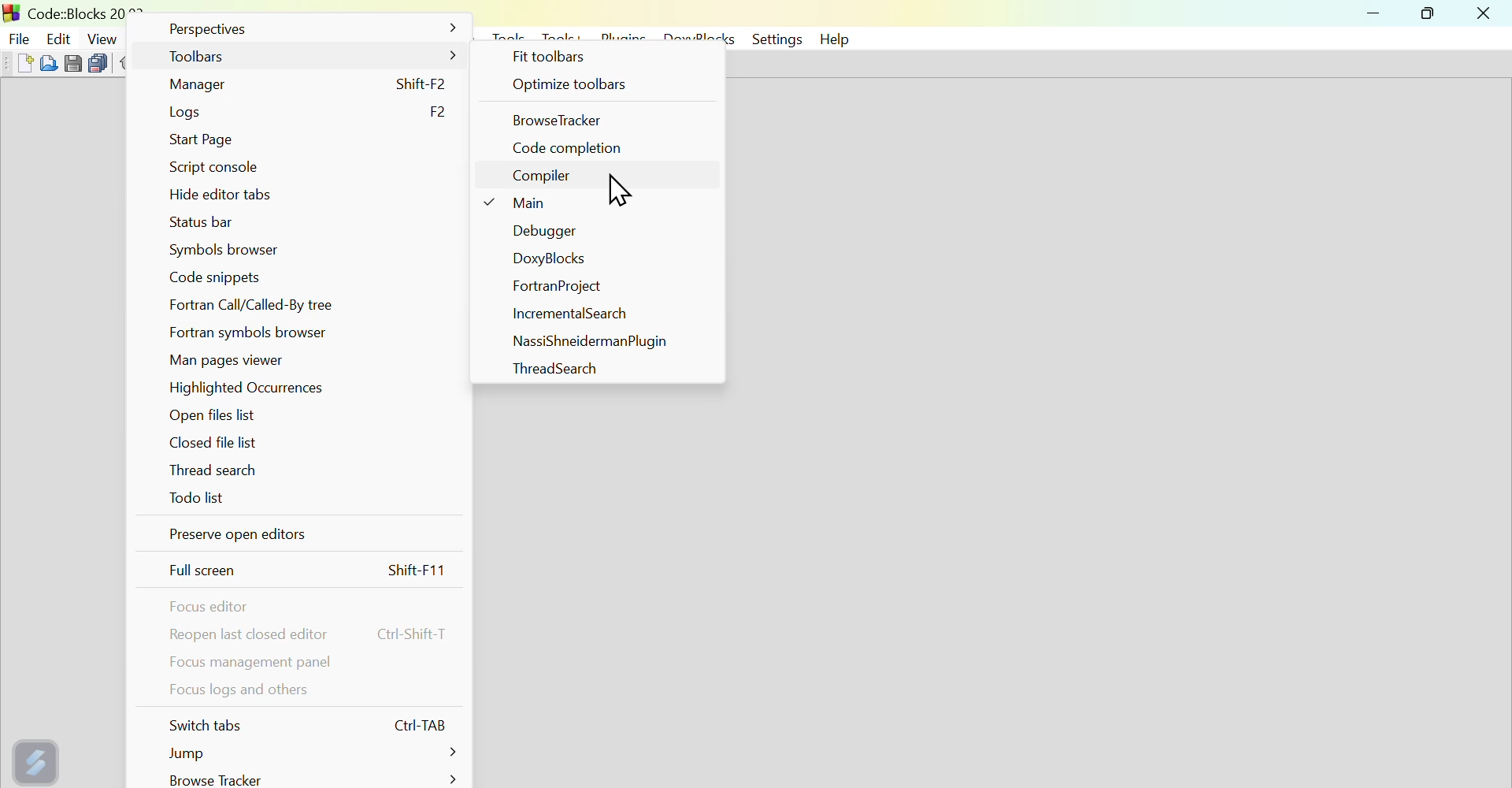  What do you see at coordinates (231, 359) in the screenshot?
I see `Man pages viewer` at bounding box center [231, 359].